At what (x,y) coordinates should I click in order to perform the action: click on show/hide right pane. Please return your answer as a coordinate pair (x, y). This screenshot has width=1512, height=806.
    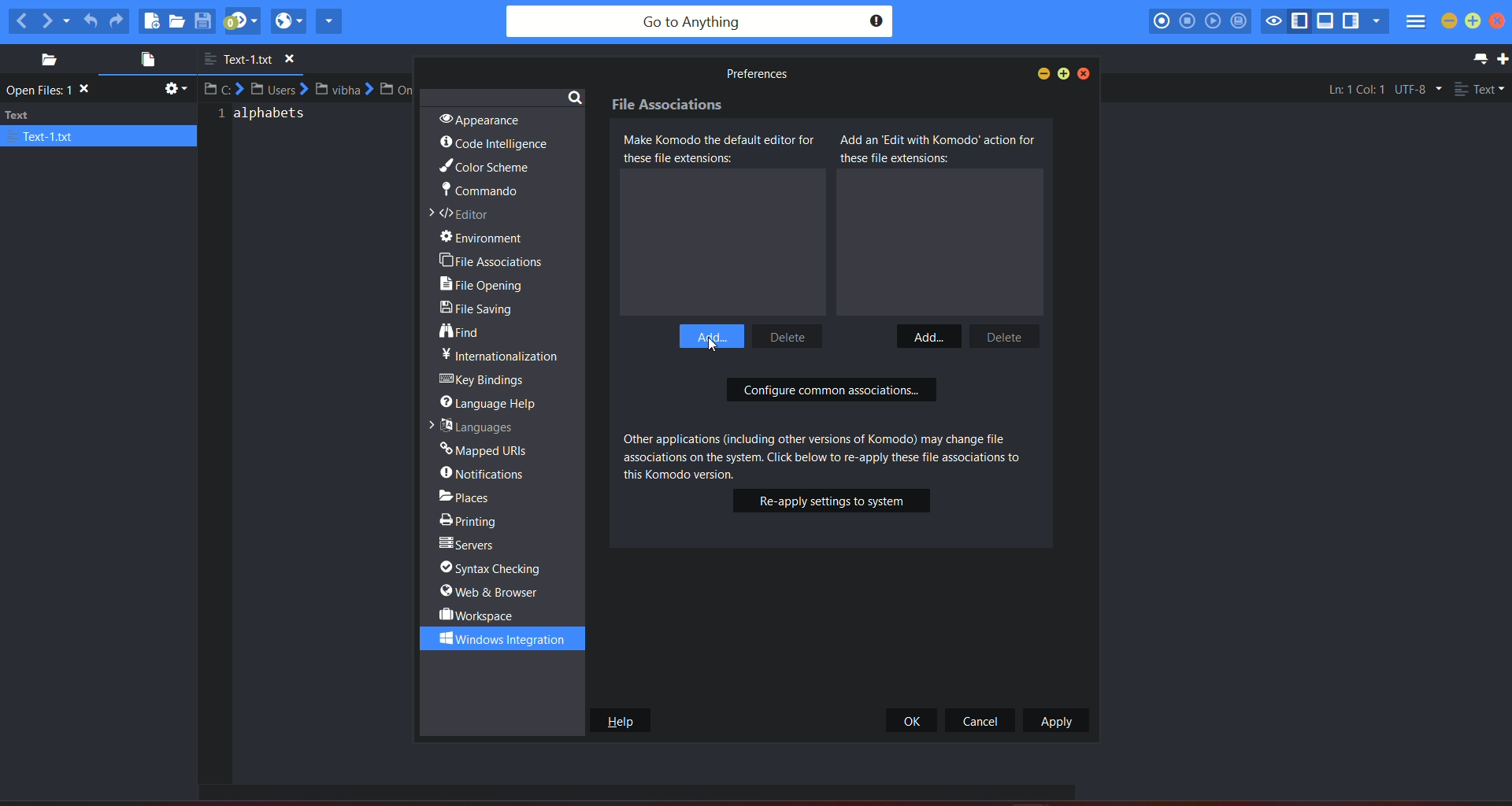
    Looking at the image, I should click on (1351, 23).